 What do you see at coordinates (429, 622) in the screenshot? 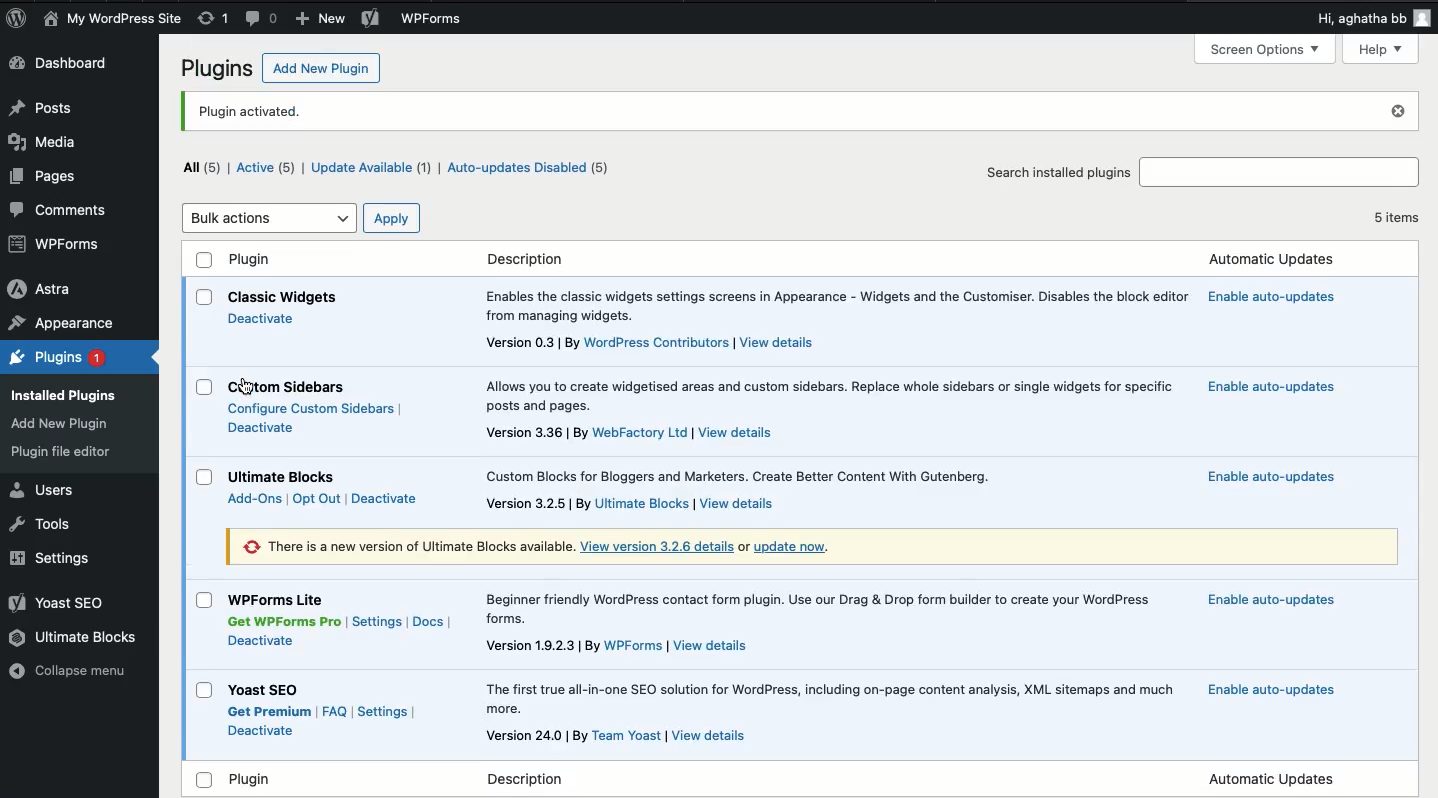
I see `Docs` at bounding box center [429, 622].